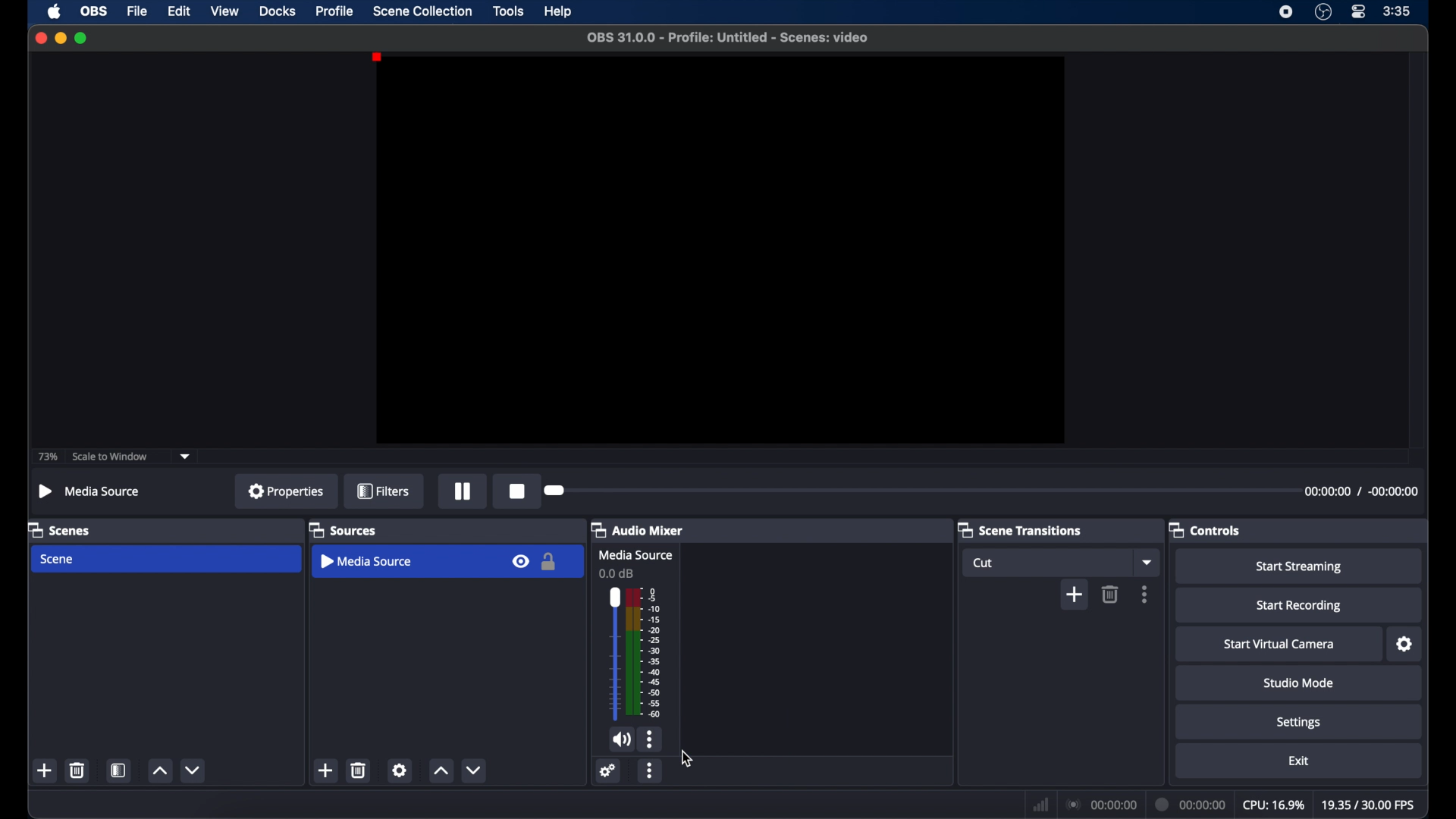 The width and height of the screenshot is (1456, 819). I want to click on audio mixer, so click(636, 529).